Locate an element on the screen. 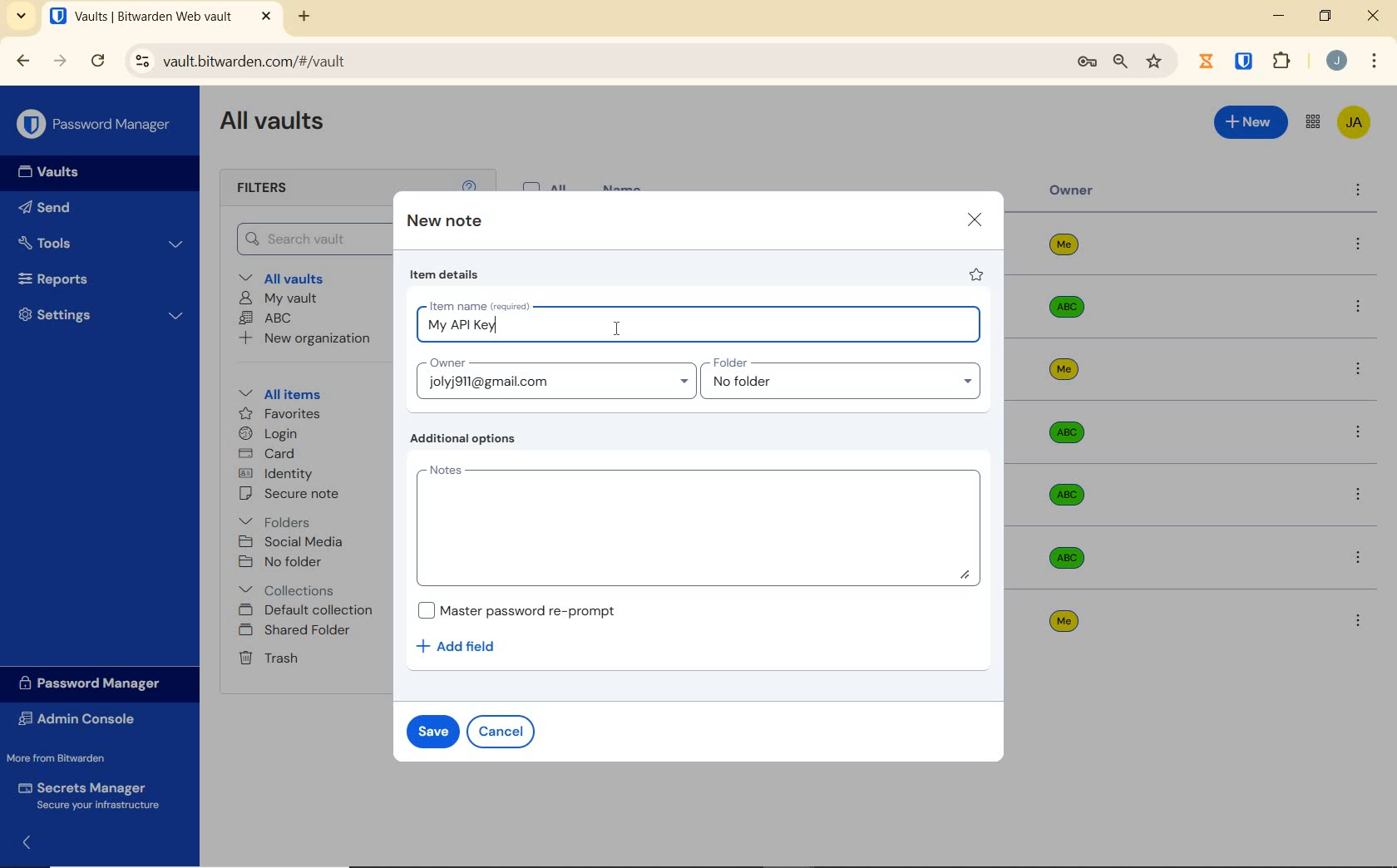  secure note is located at coordinates (304, 496).